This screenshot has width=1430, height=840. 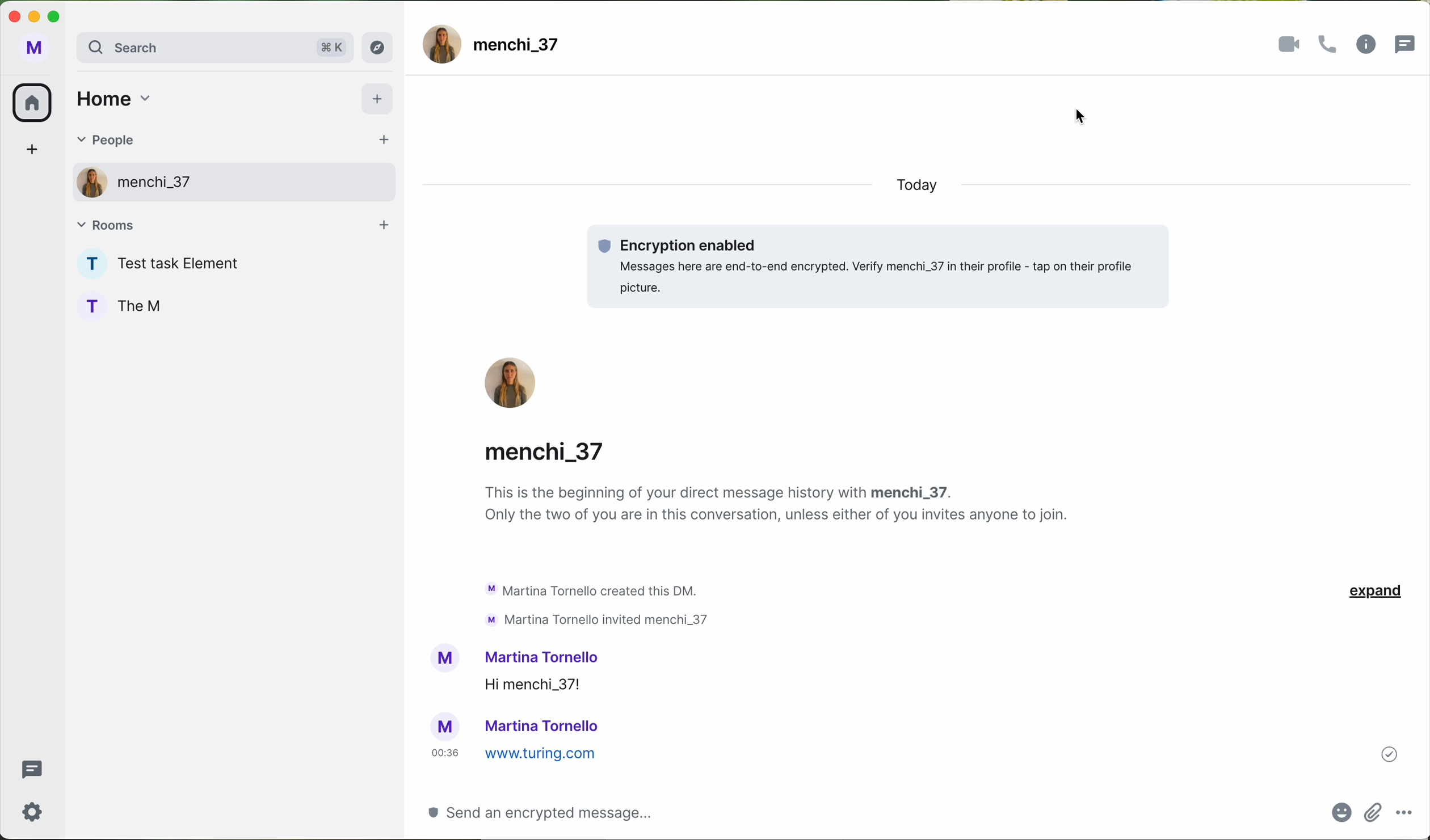 What do you see at coordinates (541, 656) in the screenshot?
I see `username` at bounding box center [541, 656].